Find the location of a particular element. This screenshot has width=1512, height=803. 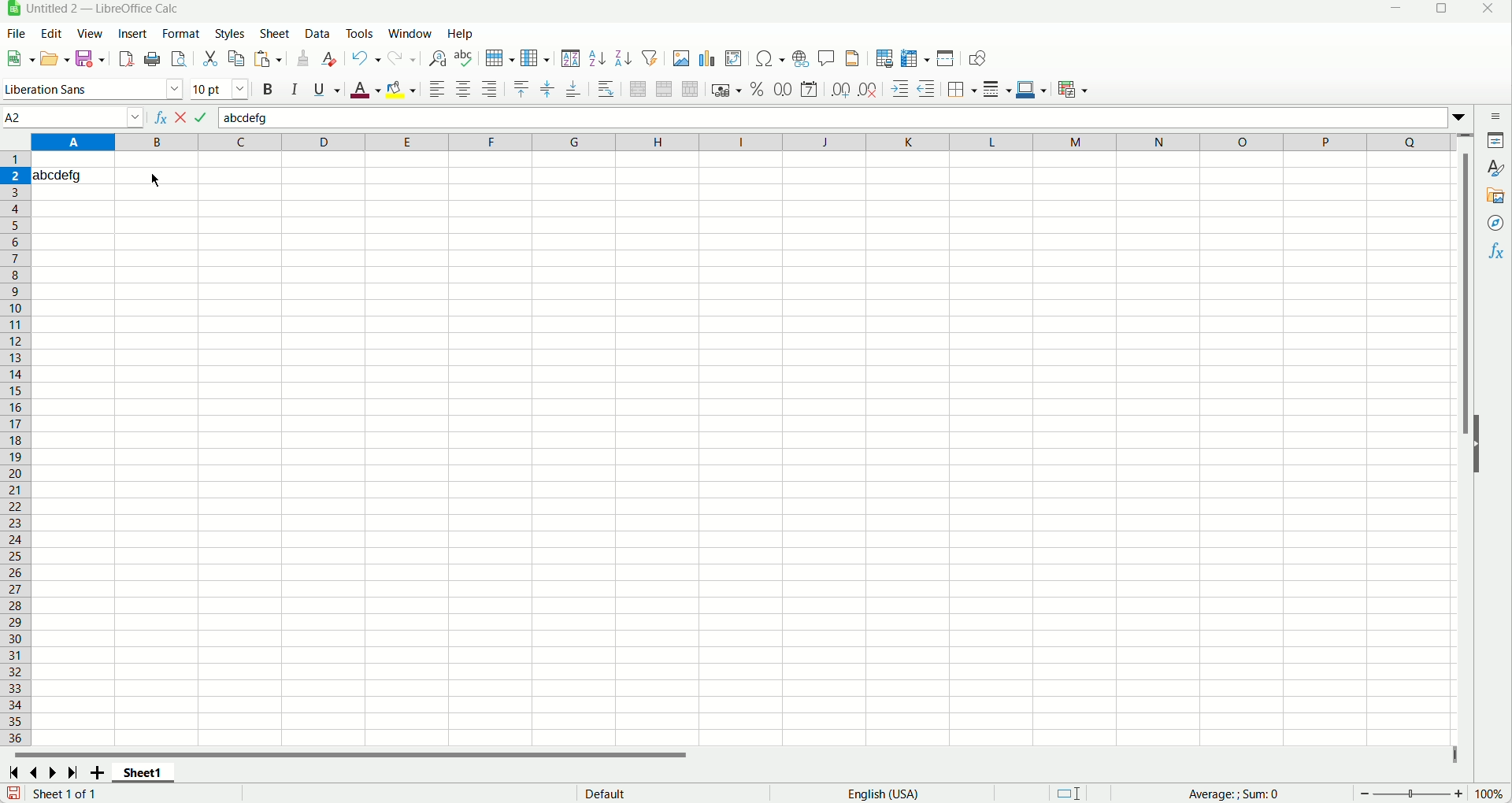

cursor is located at coordinates (153, 180).